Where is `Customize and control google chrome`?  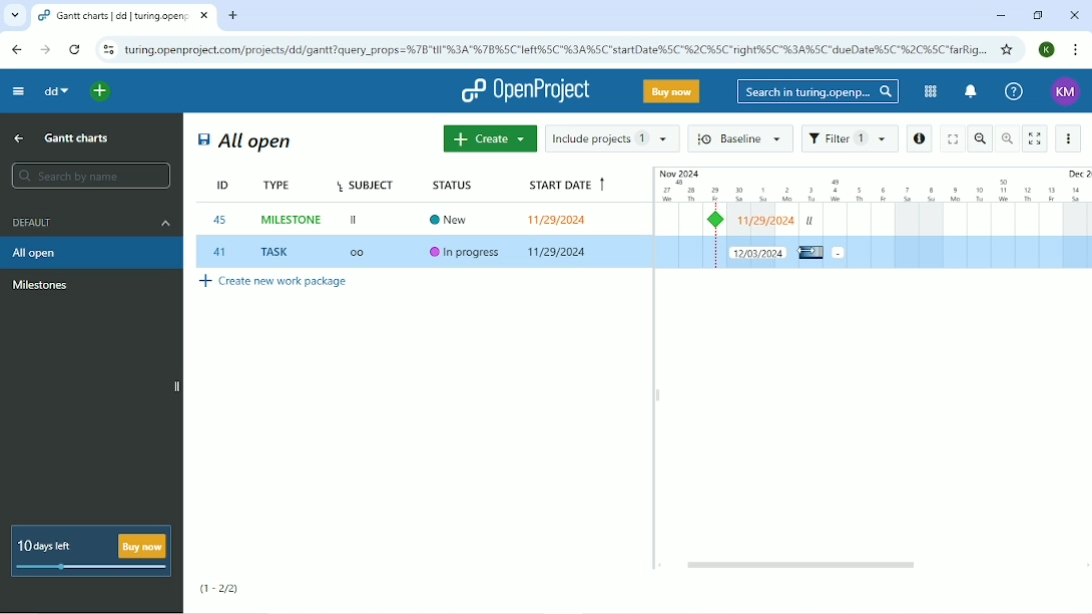 Customize and control google chrome is located at coordinates (1076, 51).